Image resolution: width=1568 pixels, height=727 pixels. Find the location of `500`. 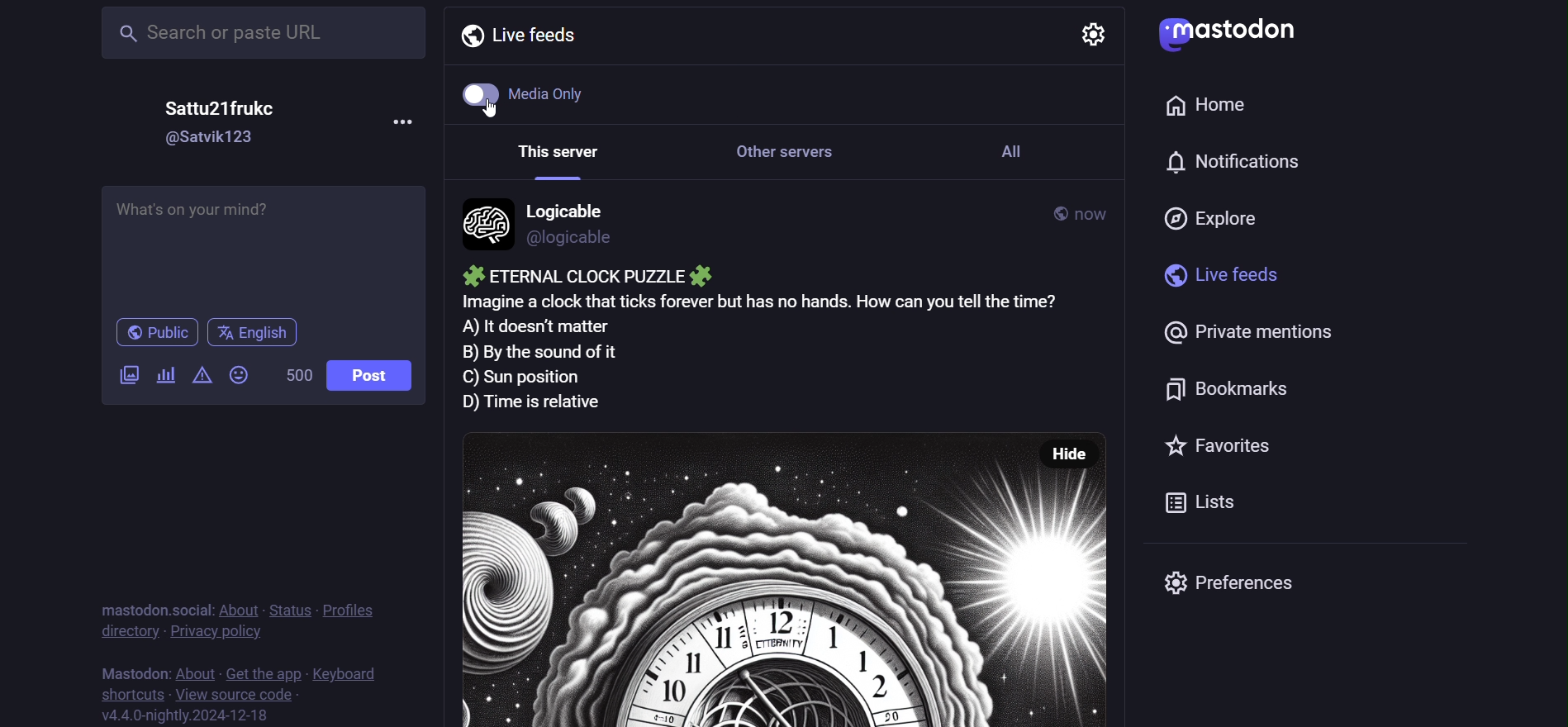

500 is located at coordinates (295, 374).